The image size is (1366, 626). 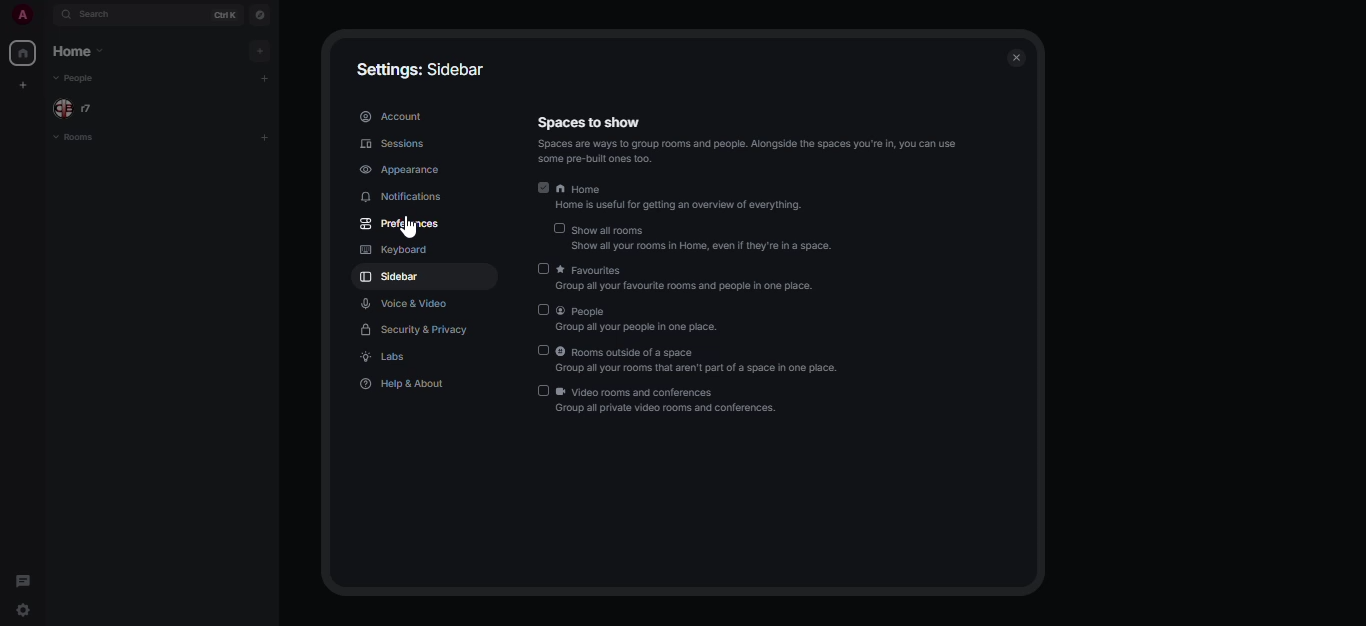 I want to click on people, so click(x=648, y=320).